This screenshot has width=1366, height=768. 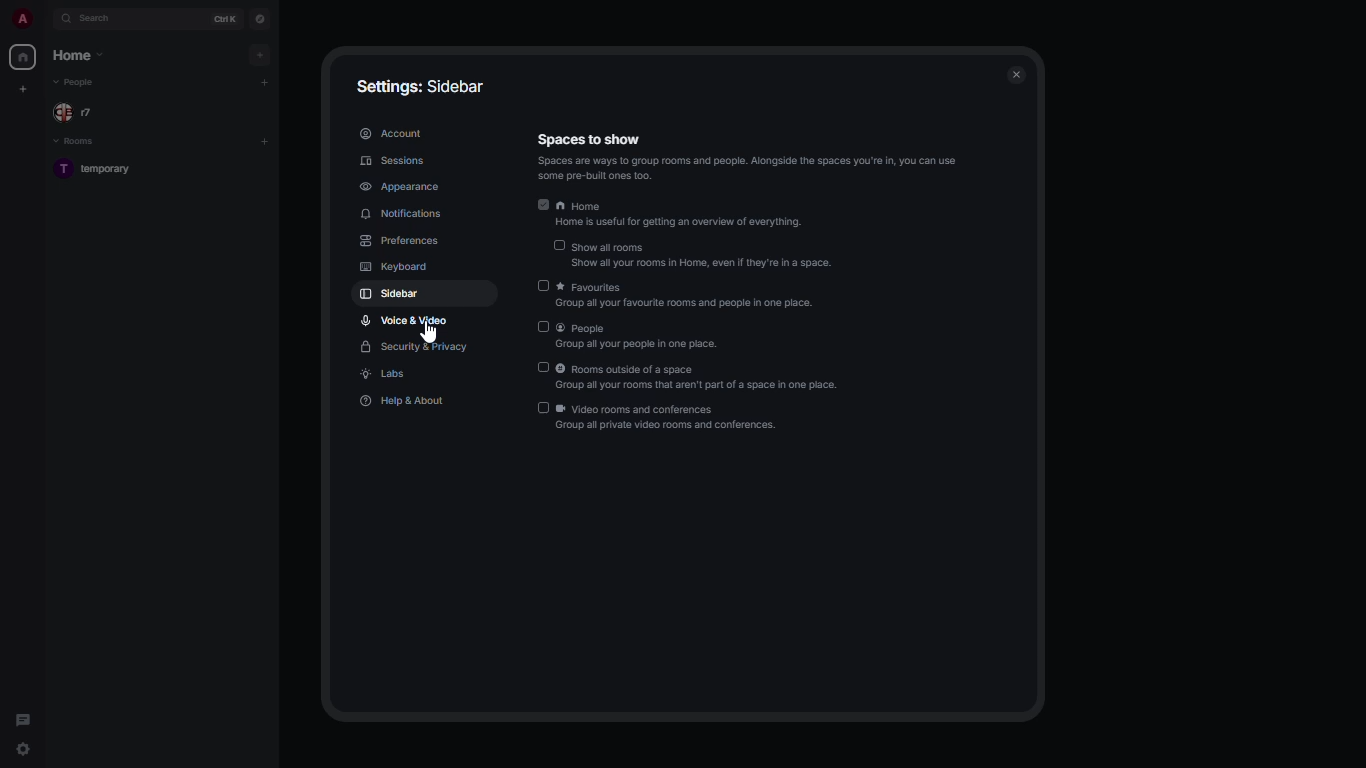 What do you see at coordinates (101, 170) in the screenshot?
I see `room` at bounding box center [101, 170].